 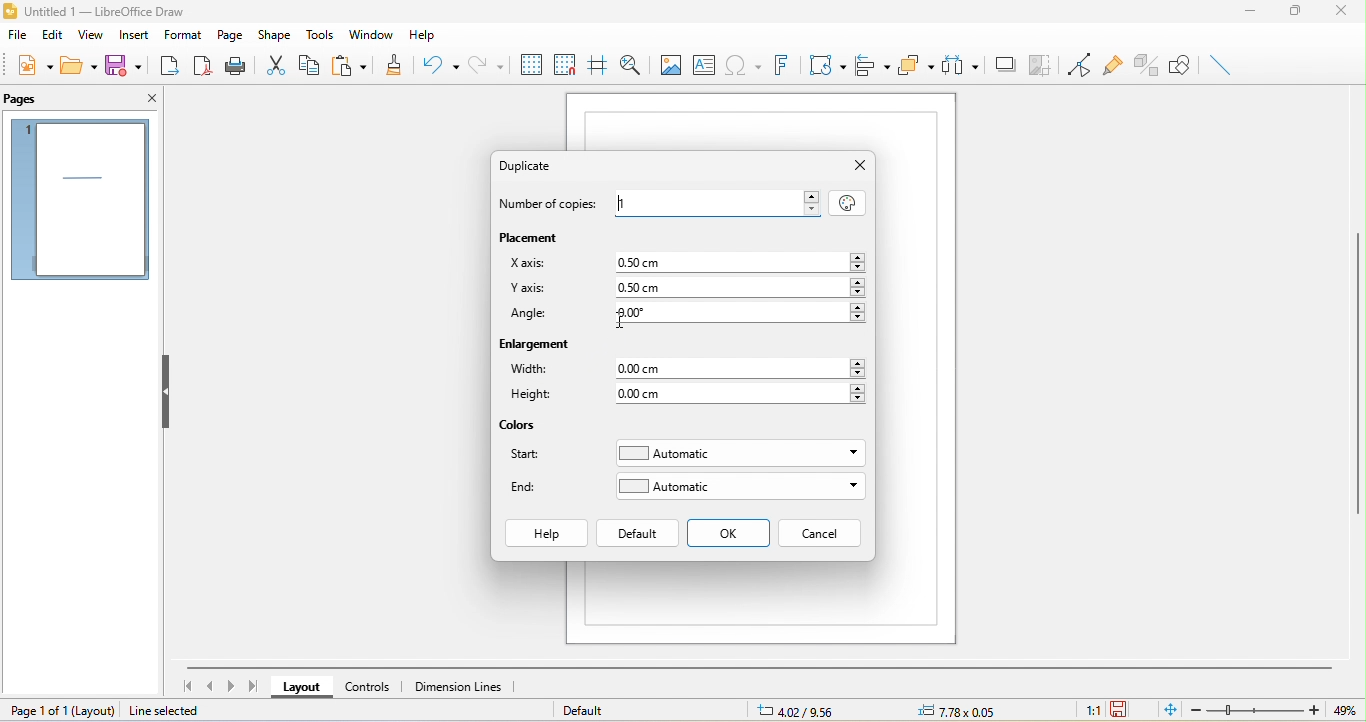 What do you see at coordinates (1146, 65) in the screenshot?
I see `toggle extrusion` at bounding box center [1146, 65].